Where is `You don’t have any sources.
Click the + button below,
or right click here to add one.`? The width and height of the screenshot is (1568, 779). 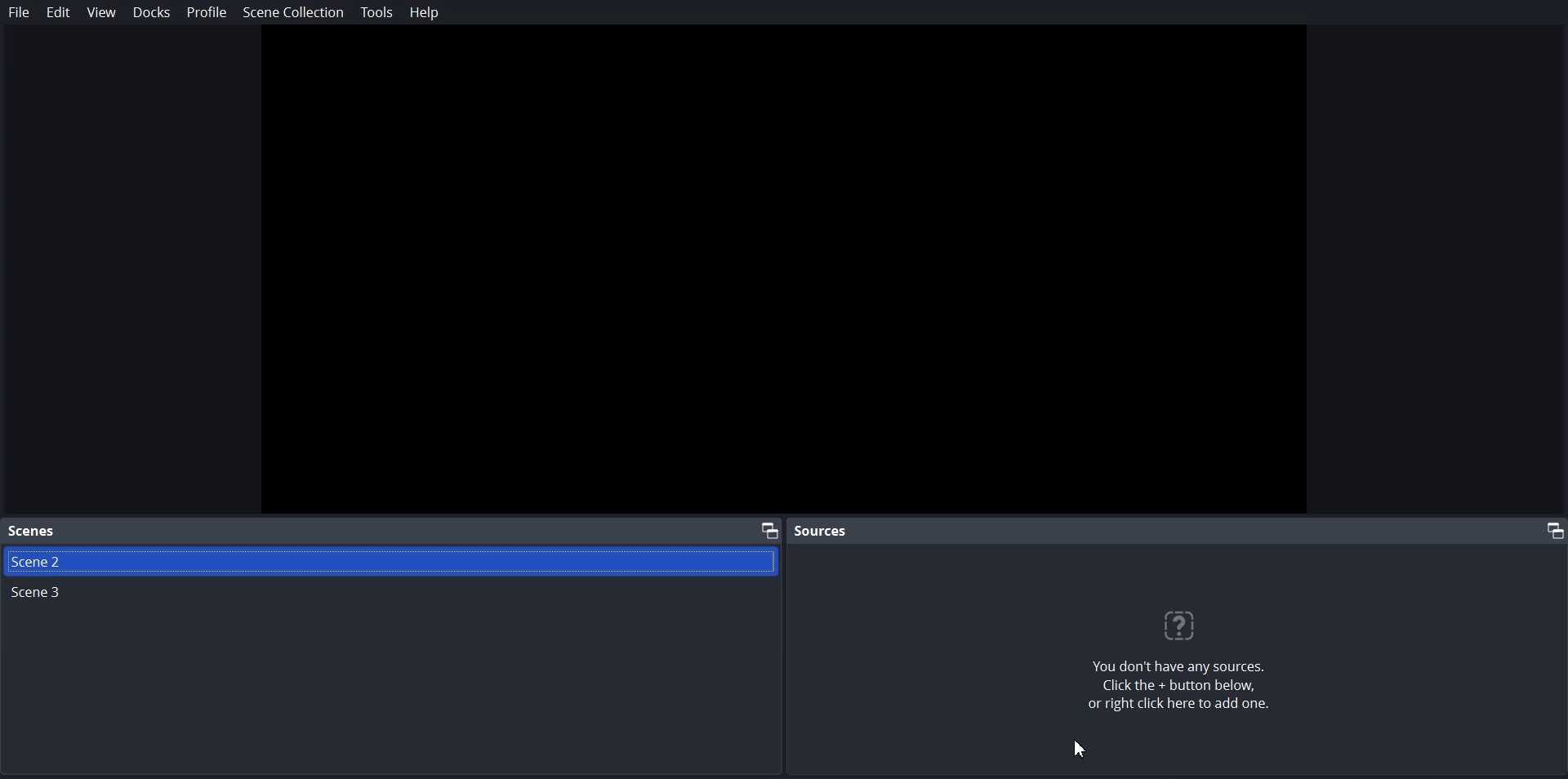 You don’t have any sources.
Click the + button below,
or right click here to add one. is located at coordinates (1188, 689).